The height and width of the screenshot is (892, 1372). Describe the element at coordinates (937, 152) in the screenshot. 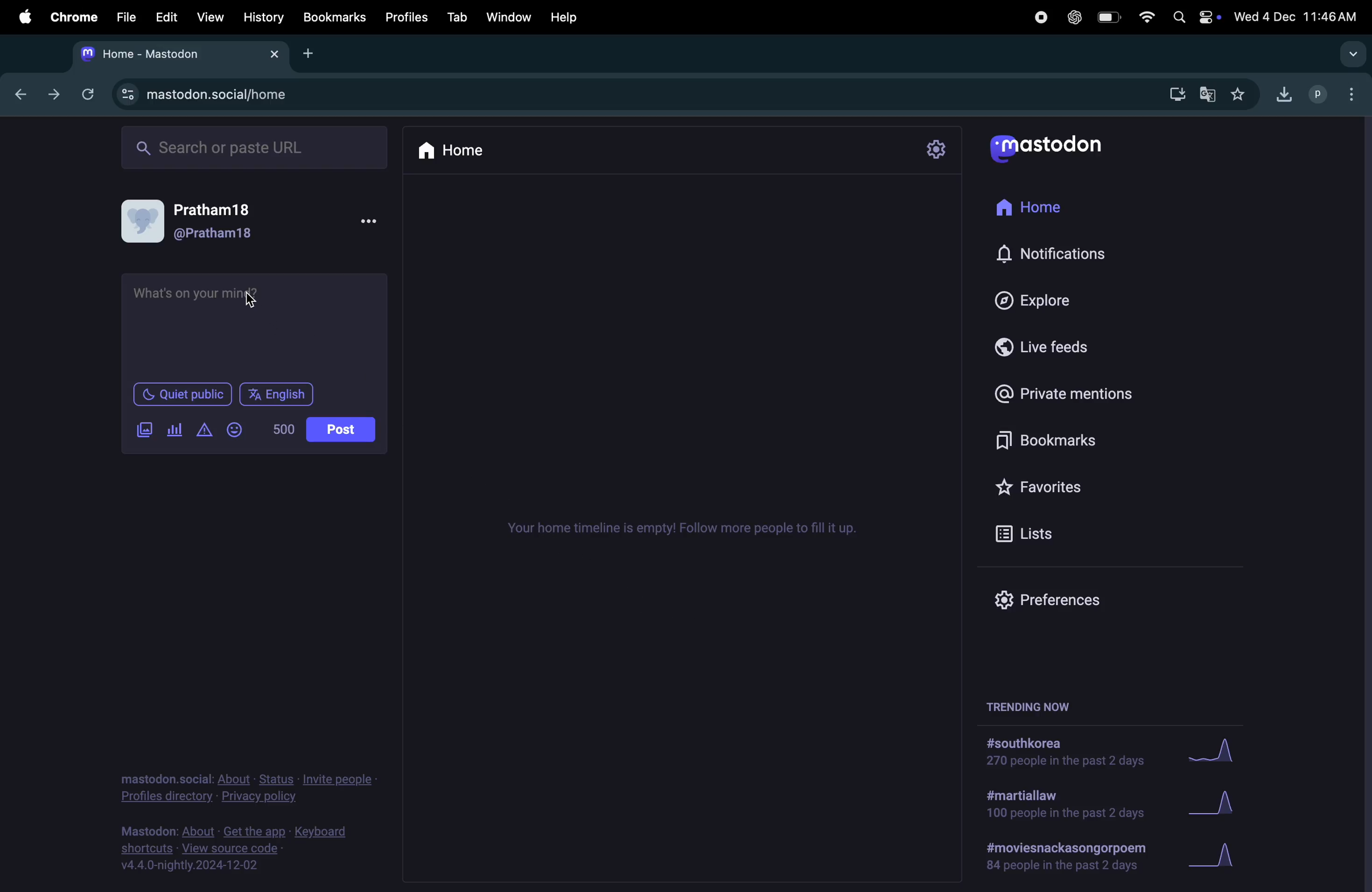

I see `setting` at that location.